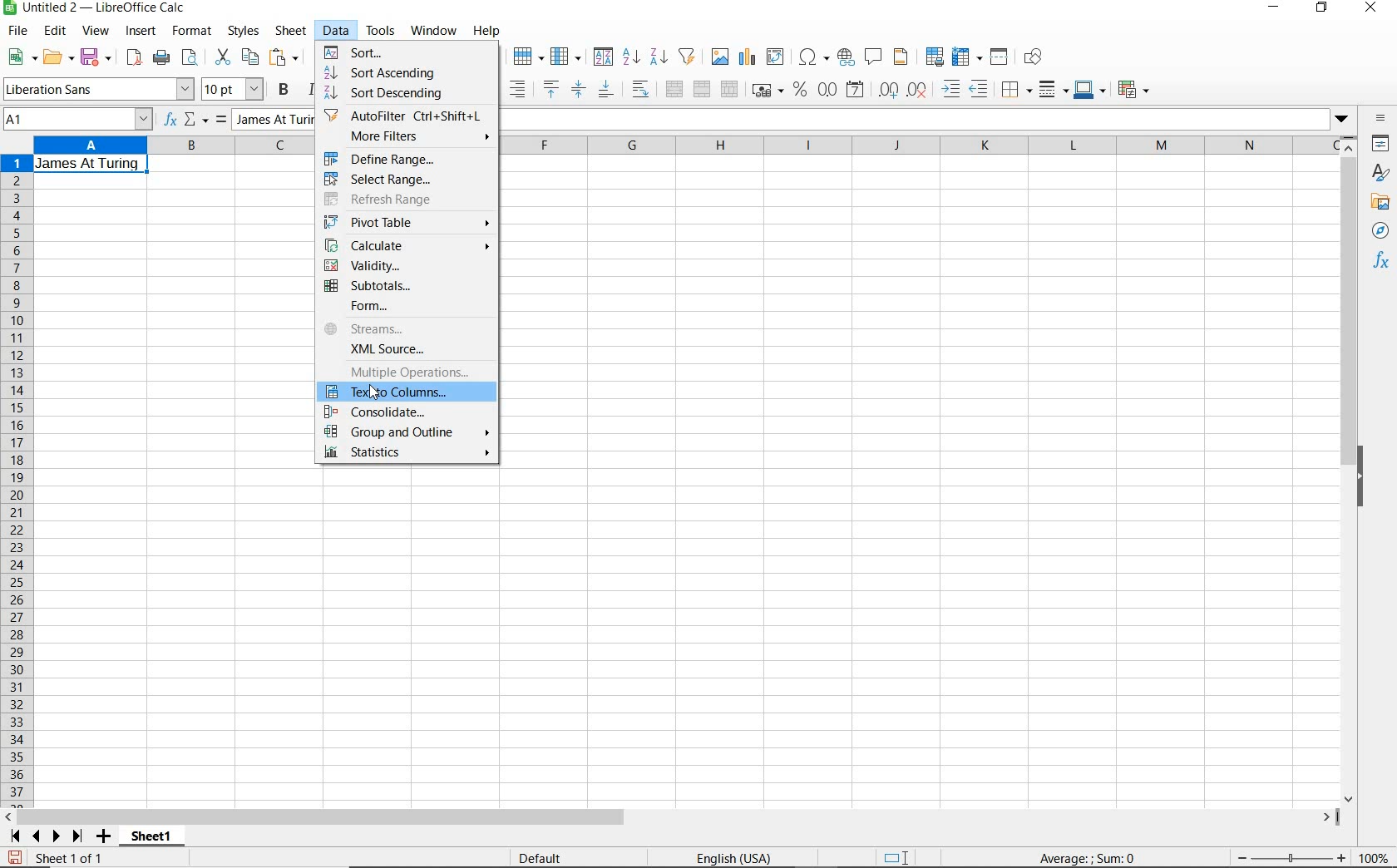  I want to click on format as number, so click(827, 90).